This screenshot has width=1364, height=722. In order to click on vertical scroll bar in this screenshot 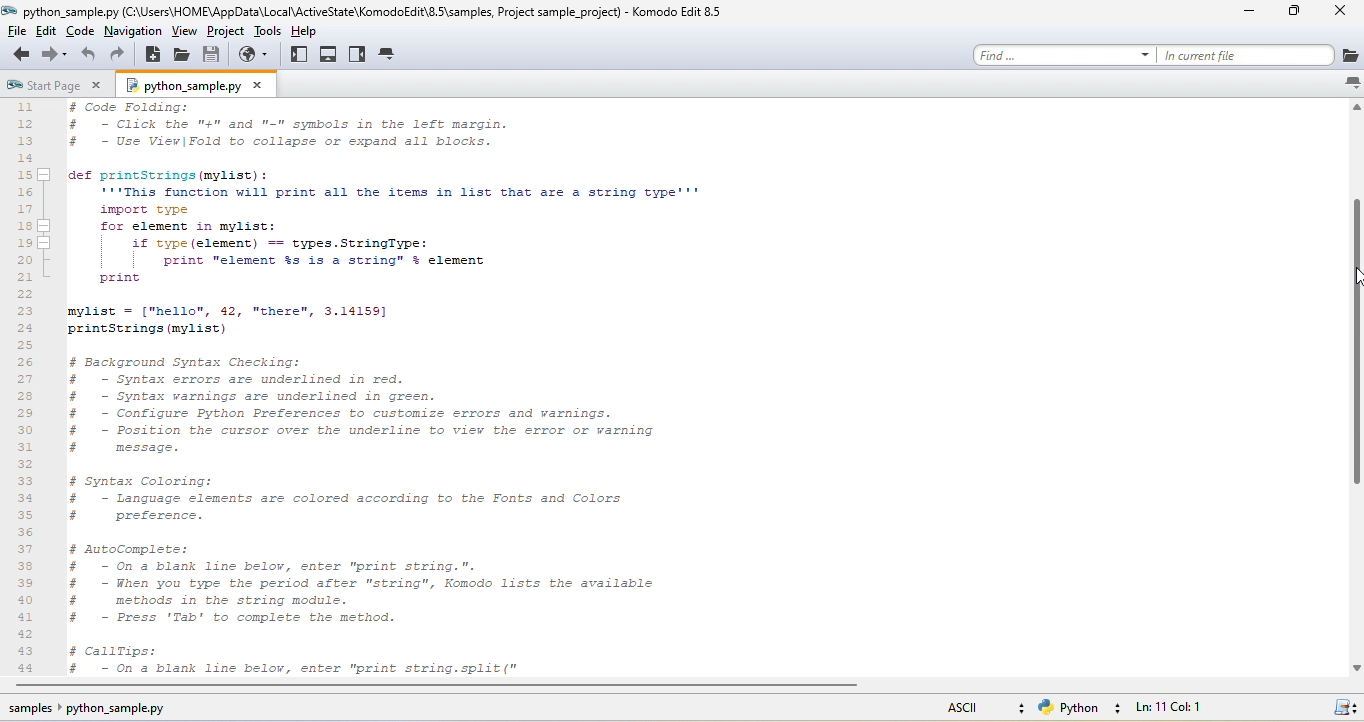, I will do `click(1350, 342)`.